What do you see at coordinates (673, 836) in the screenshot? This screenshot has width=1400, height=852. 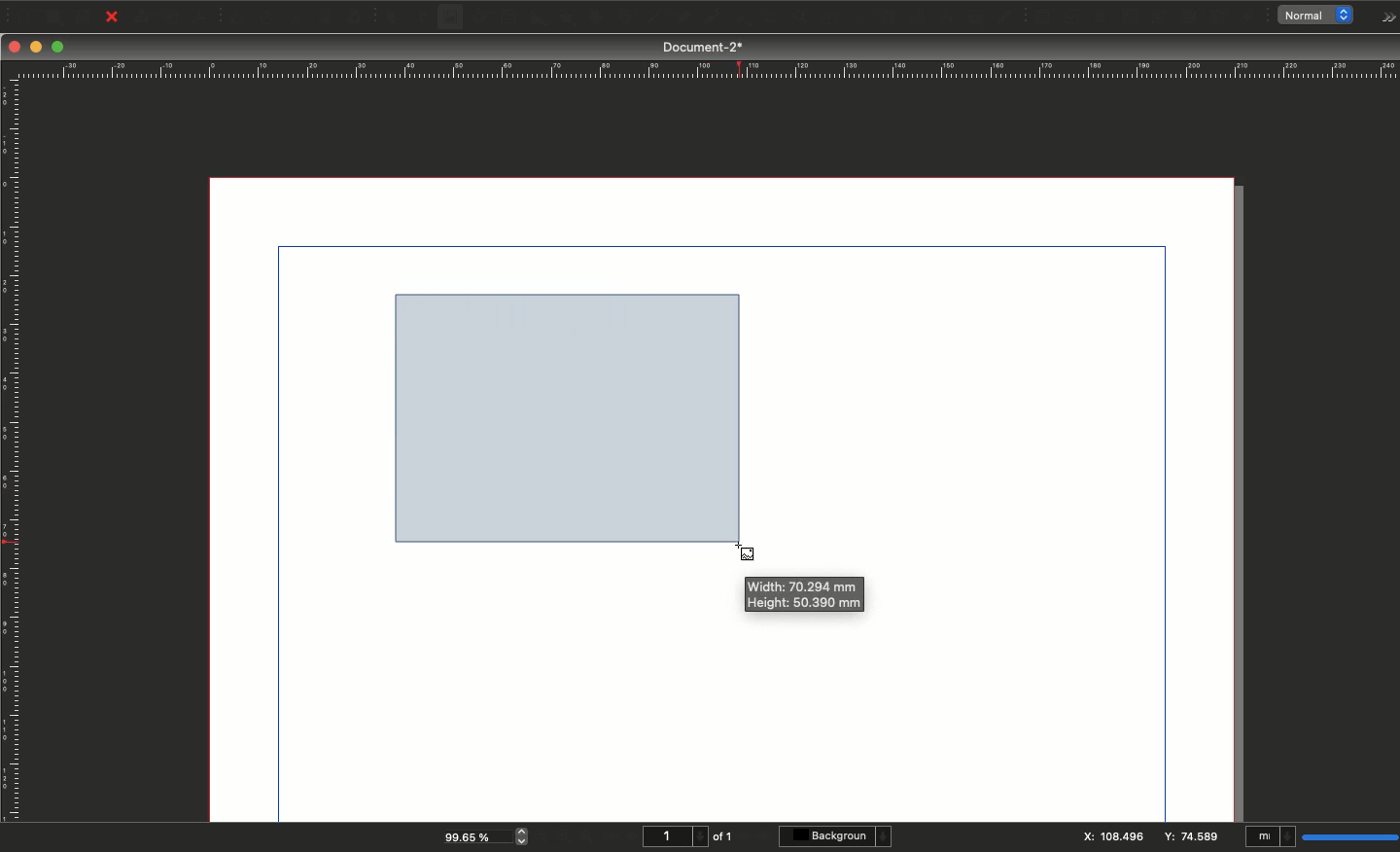 I see `1` at bounding box center [673, 836].